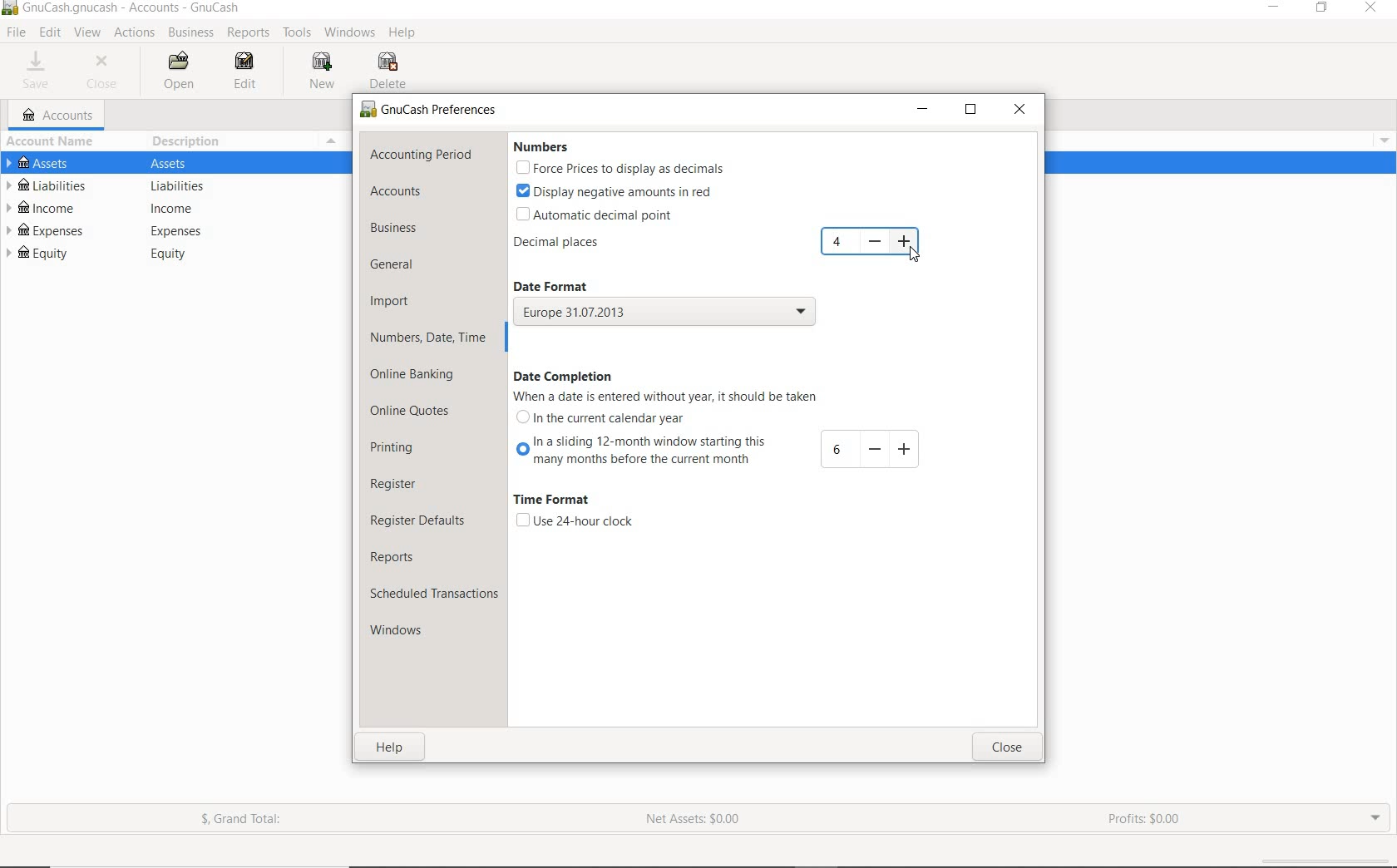 The image size is (1397, 868). Describe the element at coordinates (694, 820) in the screenshot. I see `NET ASSETS` at that location.